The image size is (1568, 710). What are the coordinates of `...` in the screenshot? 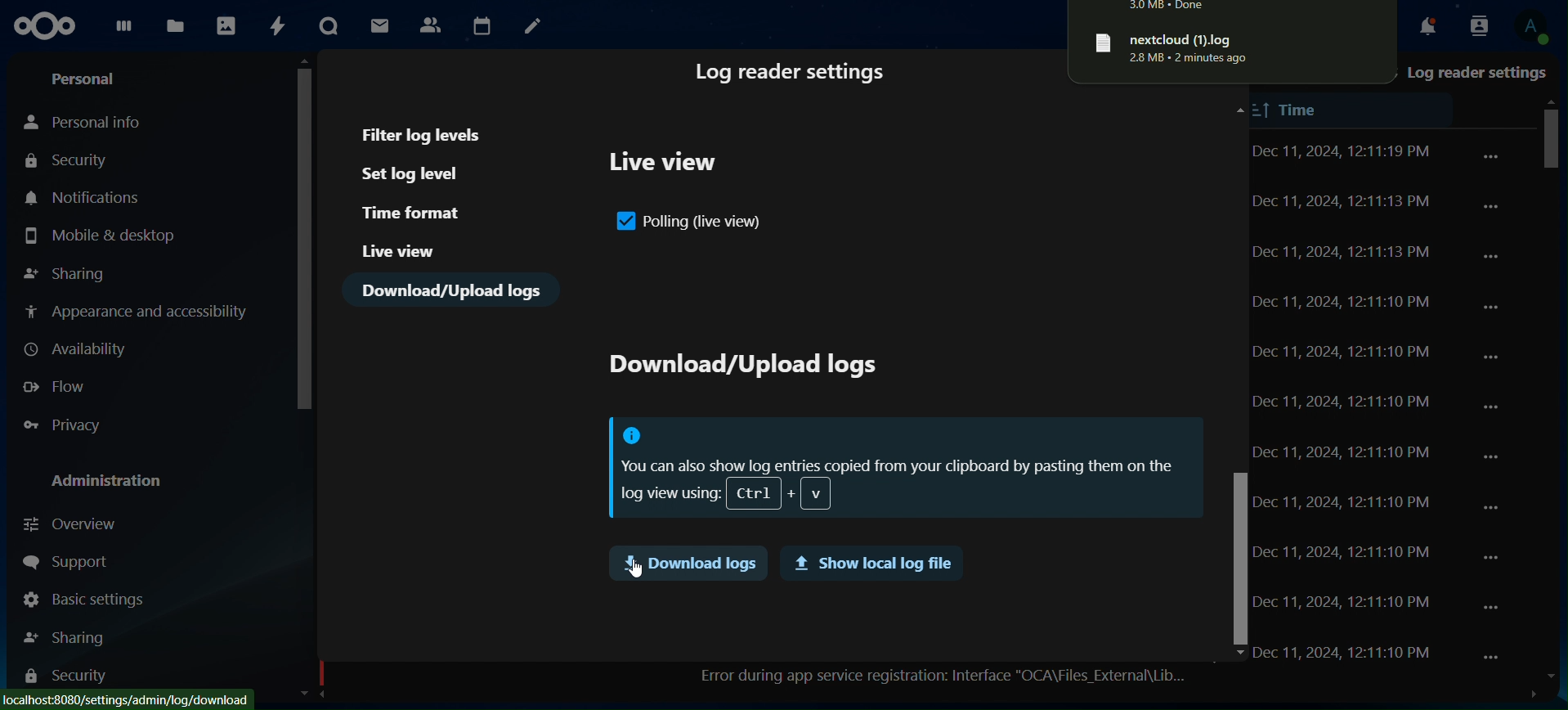 It's located at (1491, 205).